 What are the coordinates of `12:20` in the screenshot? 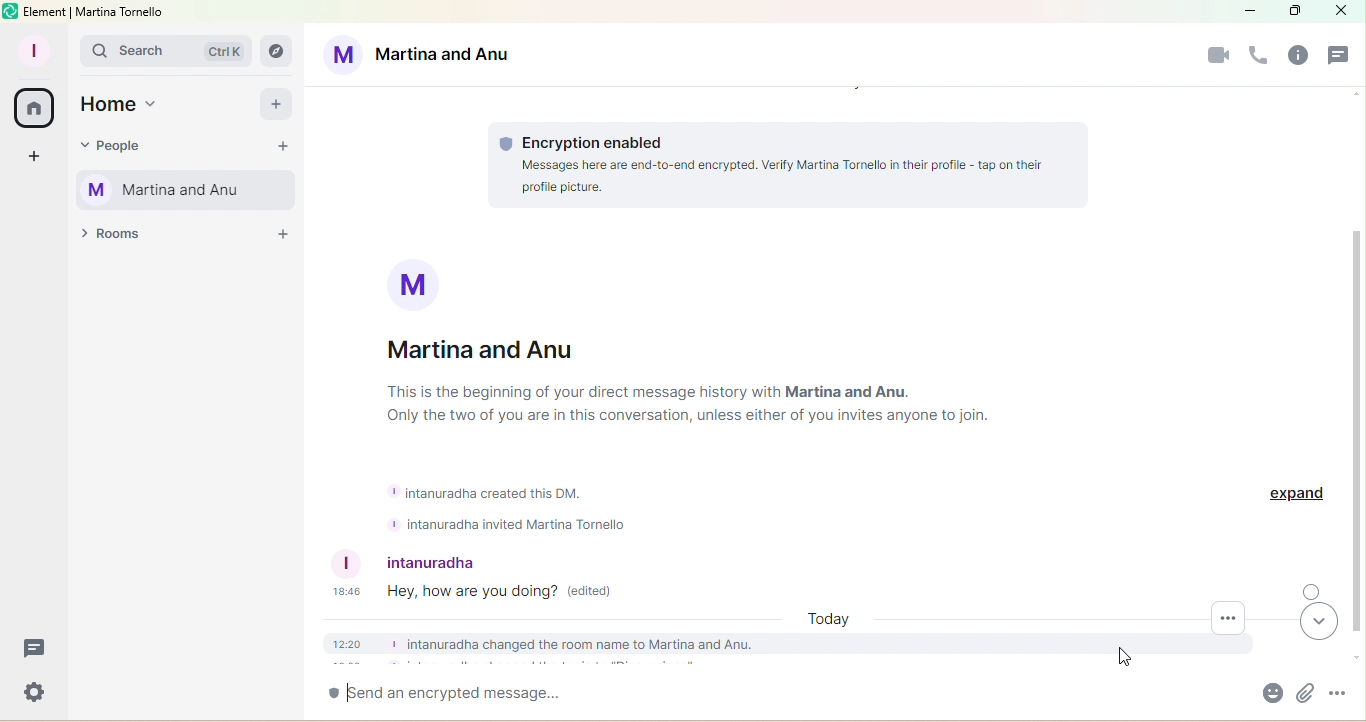 It's located at (345, 644).